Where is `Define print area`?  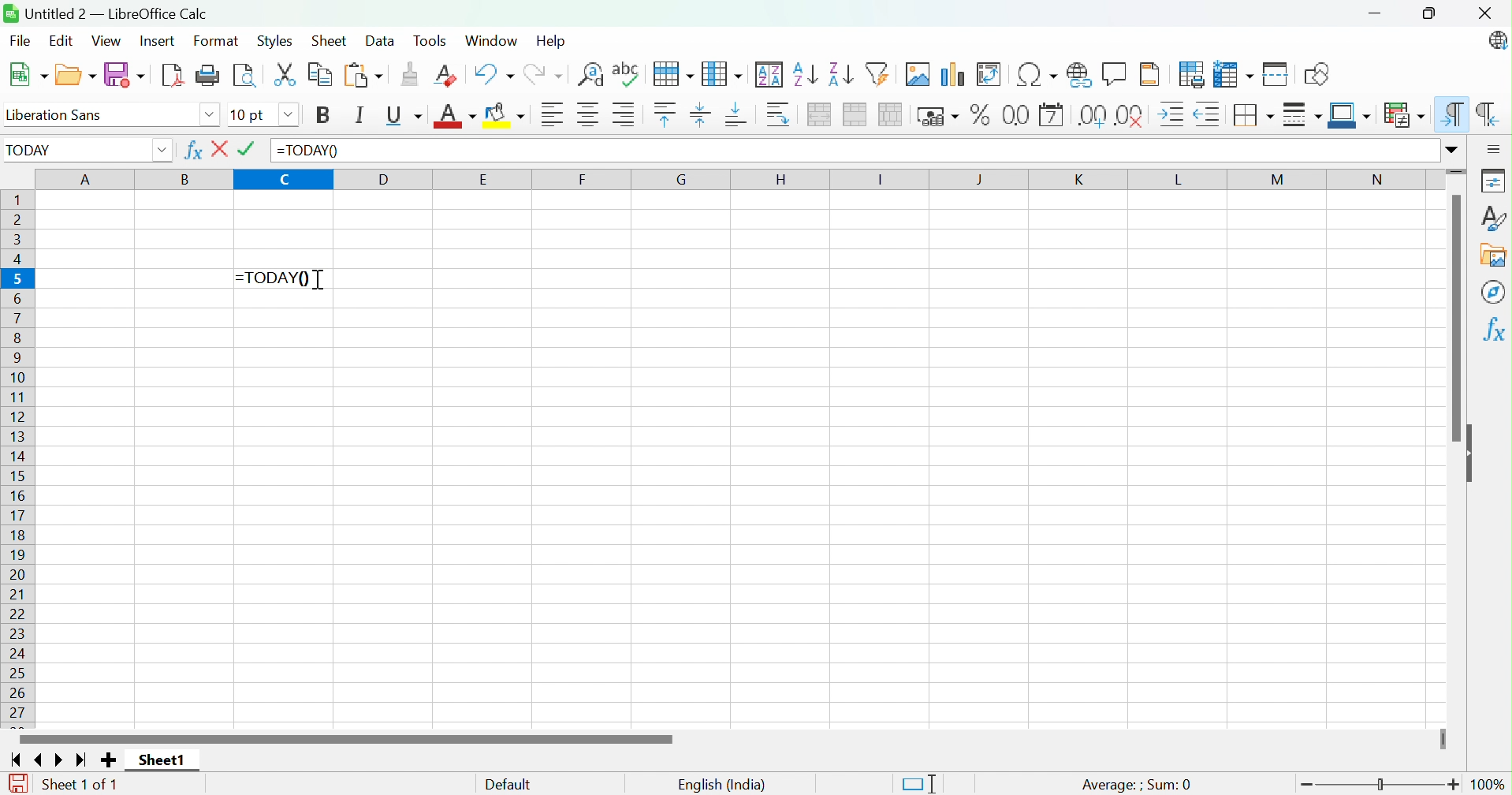
Define print area is located at coordinates (1193, 74).